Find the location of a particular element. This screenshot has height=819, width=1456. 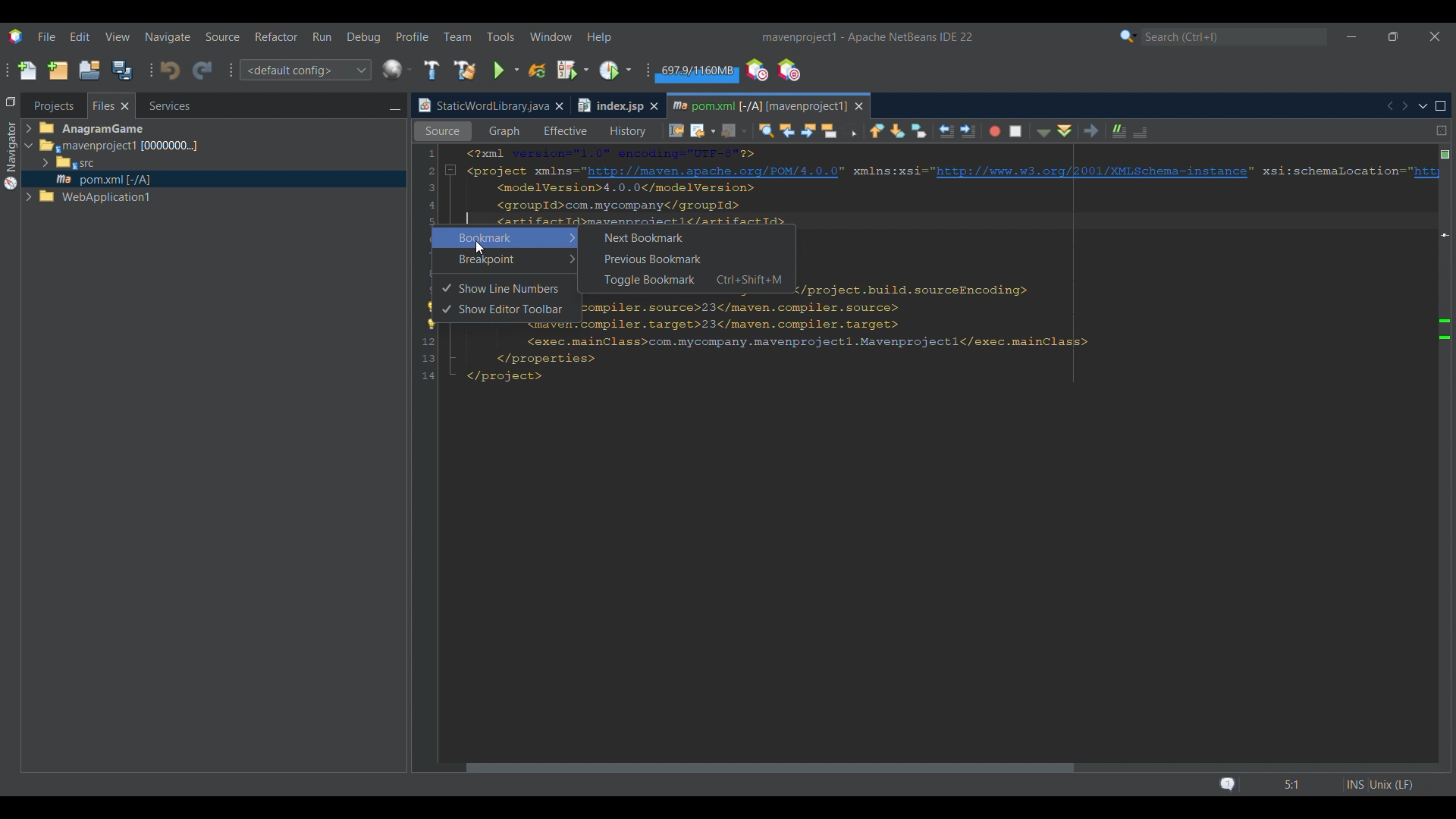

Pause I/O checks is located at coordinates (788, 70).